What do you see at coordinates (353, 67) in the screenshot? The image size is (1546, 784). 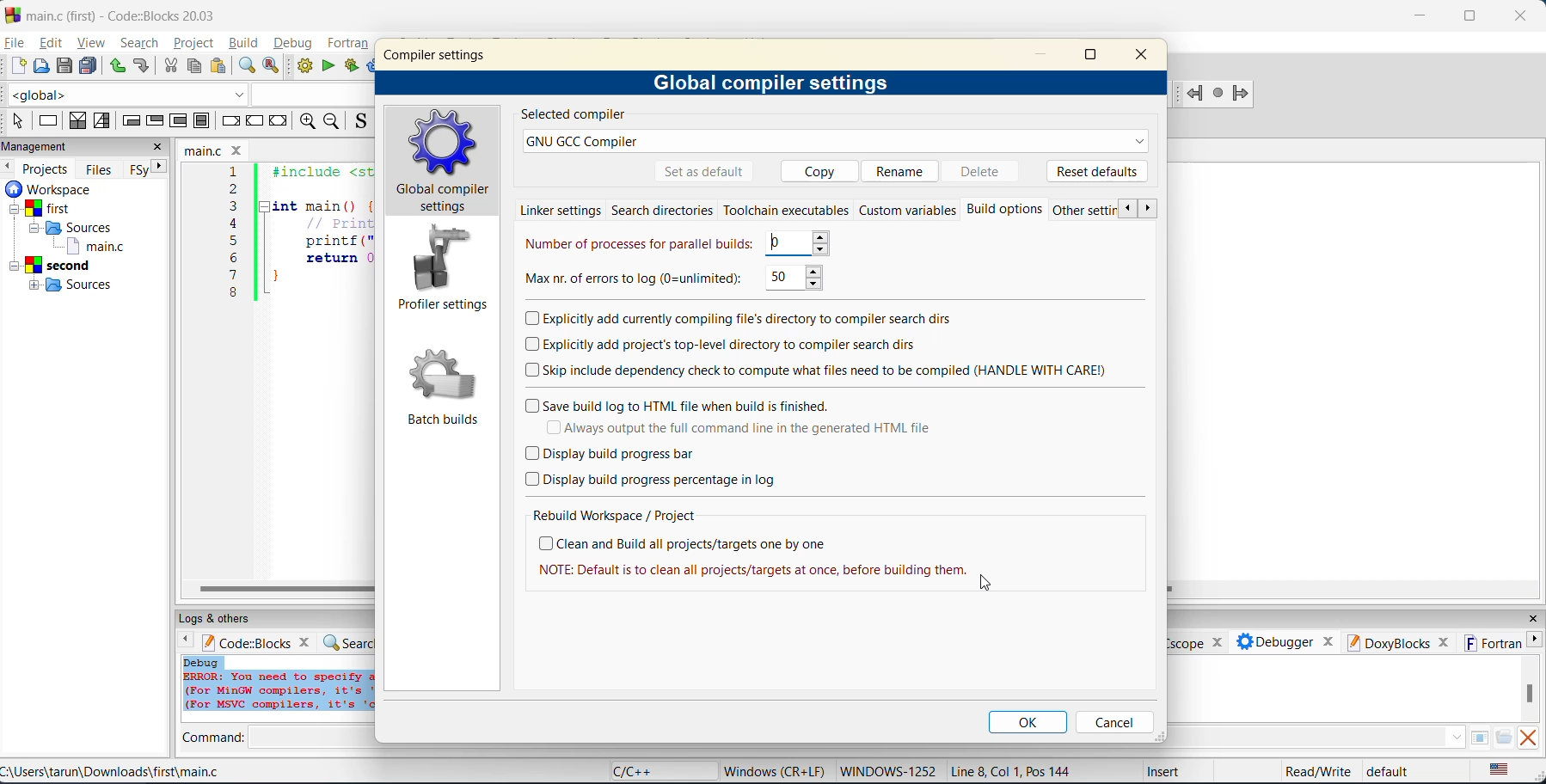 I see `build and run` at bounding box center [353, 67].